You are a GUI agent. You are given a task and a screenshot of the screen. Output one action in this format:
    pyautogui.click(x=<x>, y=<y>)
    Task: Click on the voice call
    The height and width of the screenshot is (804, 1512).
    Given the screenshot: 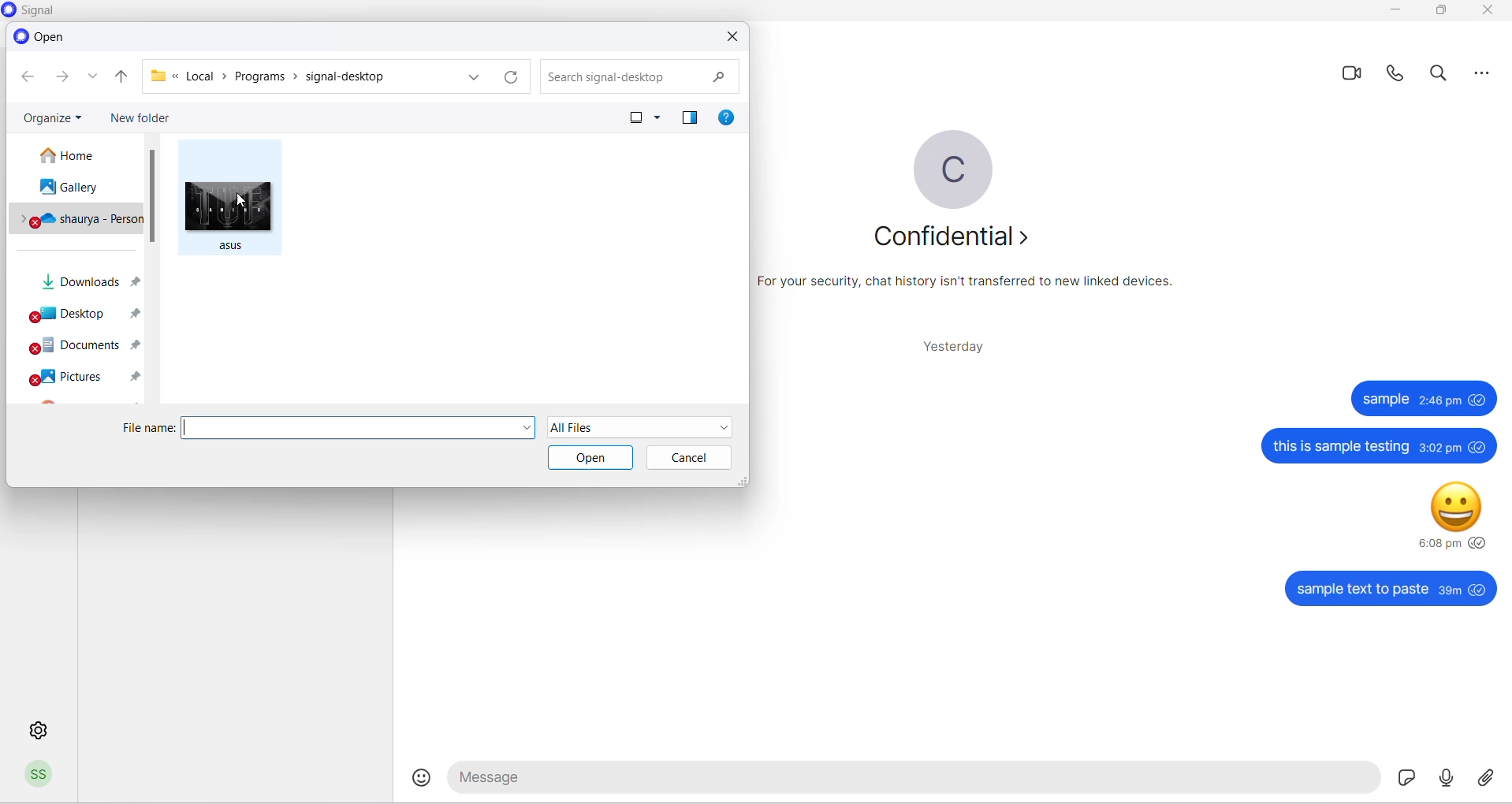 What is the action you would take?
    pyautogui.click(x=1398, y=77)
    